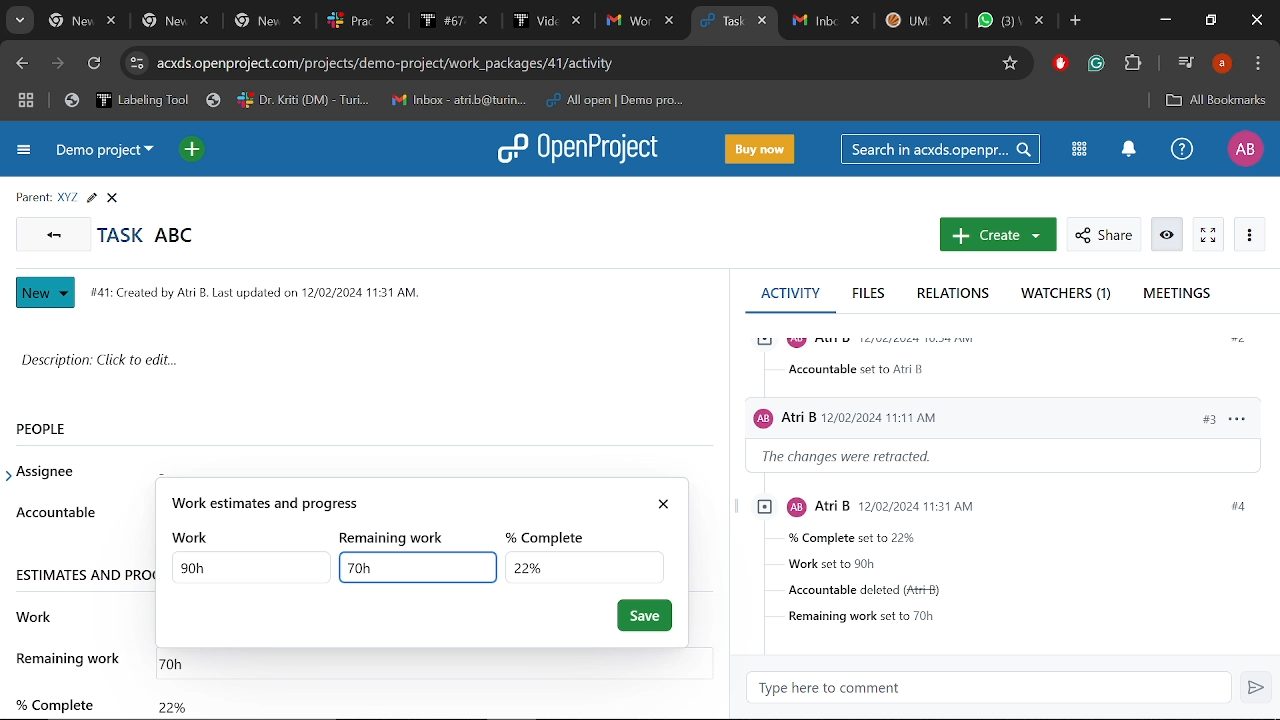 The width and height of the screenshot is (1280, 720). What do you see at coordinates (51, 472) in the screenshot?
I see `assignee` at bounding box center [51, 472].